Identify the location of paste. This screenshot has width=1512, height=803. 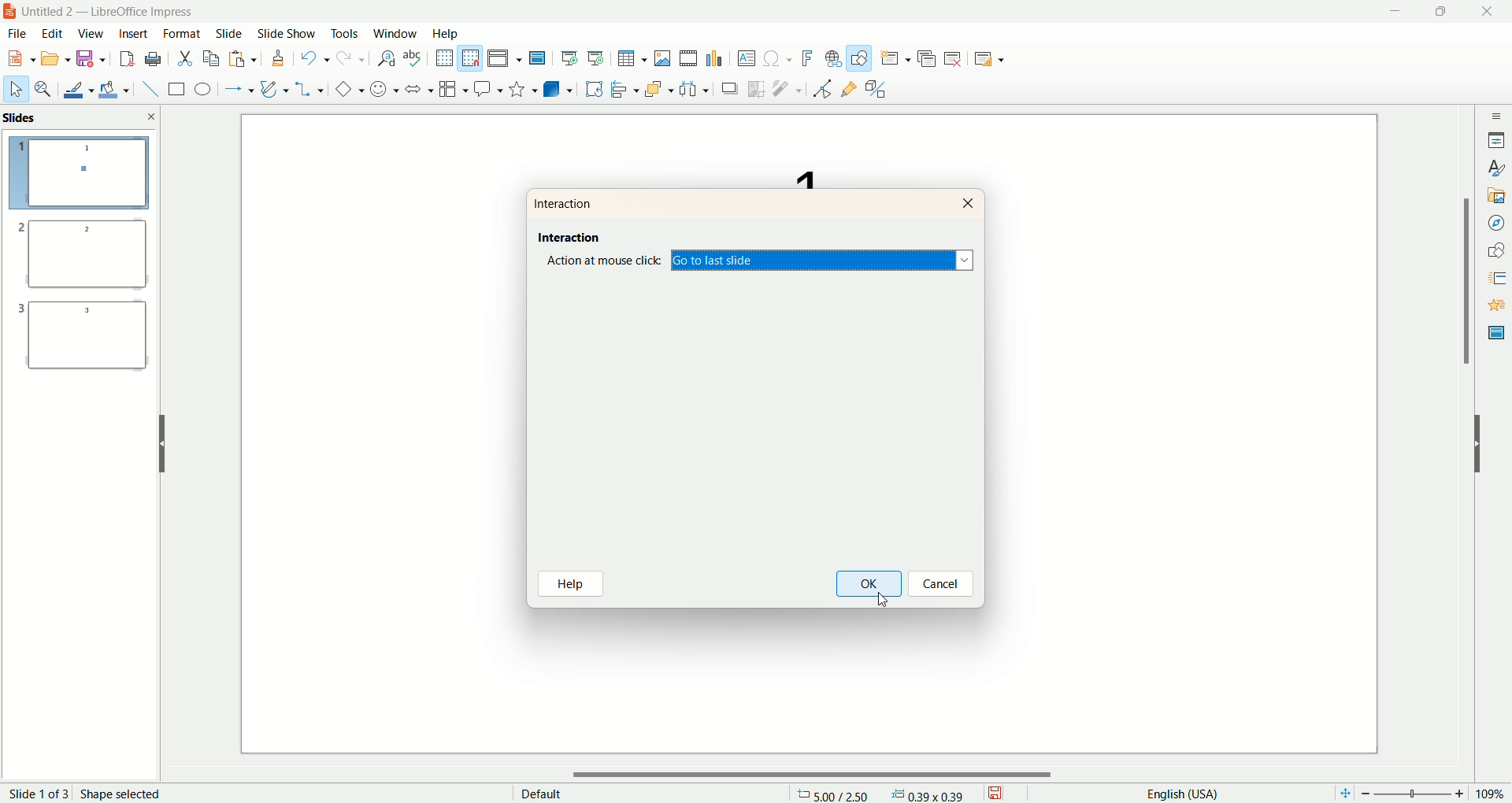
(244, 60).